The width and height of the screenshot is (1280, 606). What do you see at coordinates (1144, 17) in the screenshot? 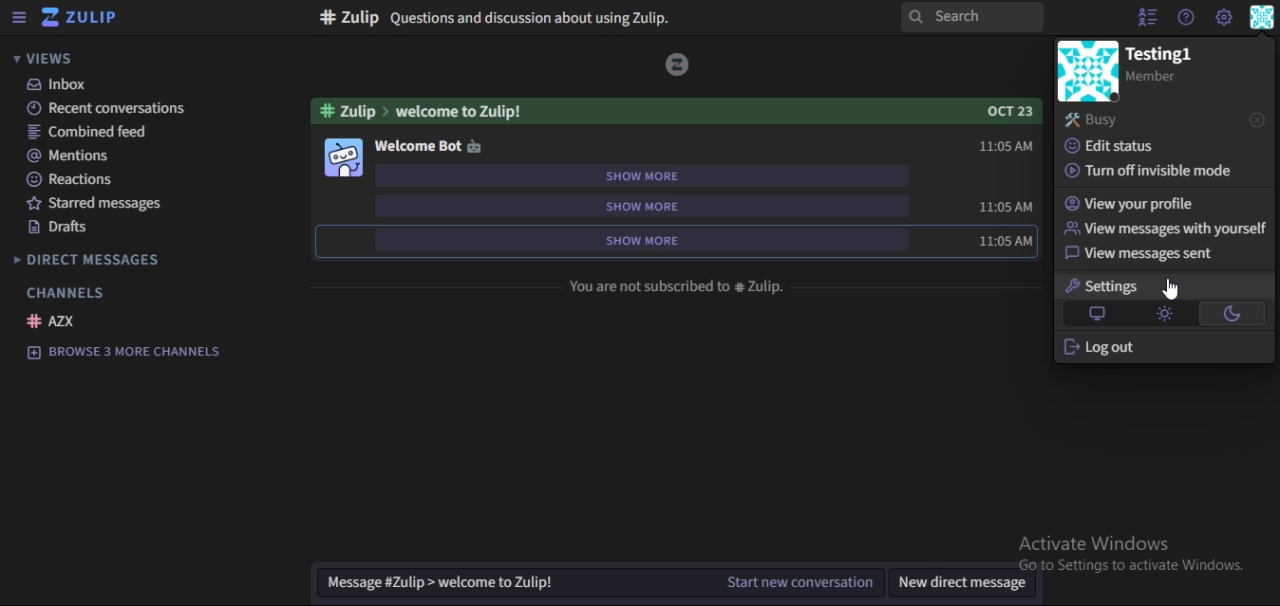
I see `hide user list` at bounding box center [1144, 17].